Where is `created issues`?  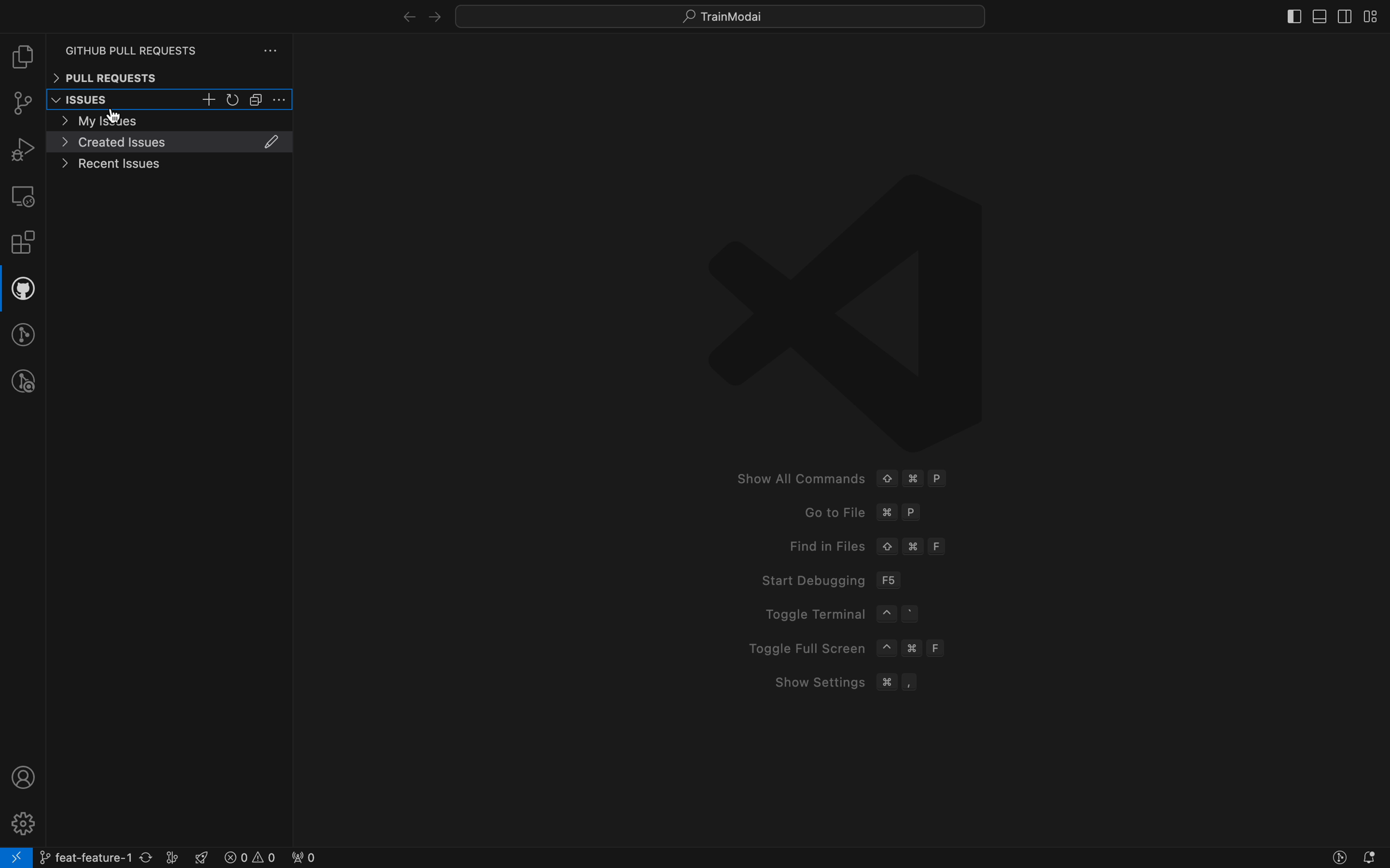 created issues is located at coordinates (171, 142).